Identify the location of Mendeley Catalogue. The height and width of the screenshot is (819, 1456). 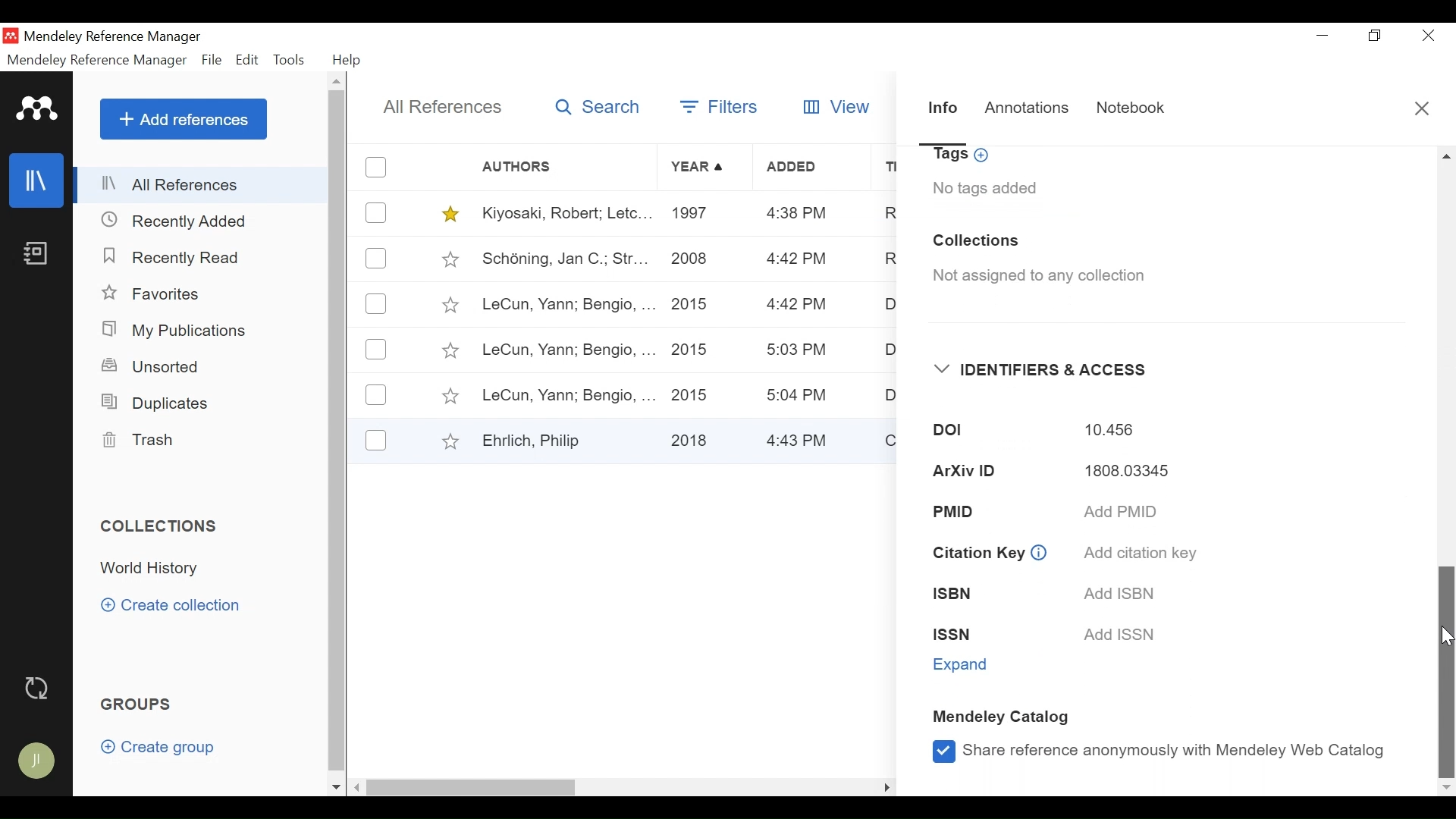
(1005, 719).